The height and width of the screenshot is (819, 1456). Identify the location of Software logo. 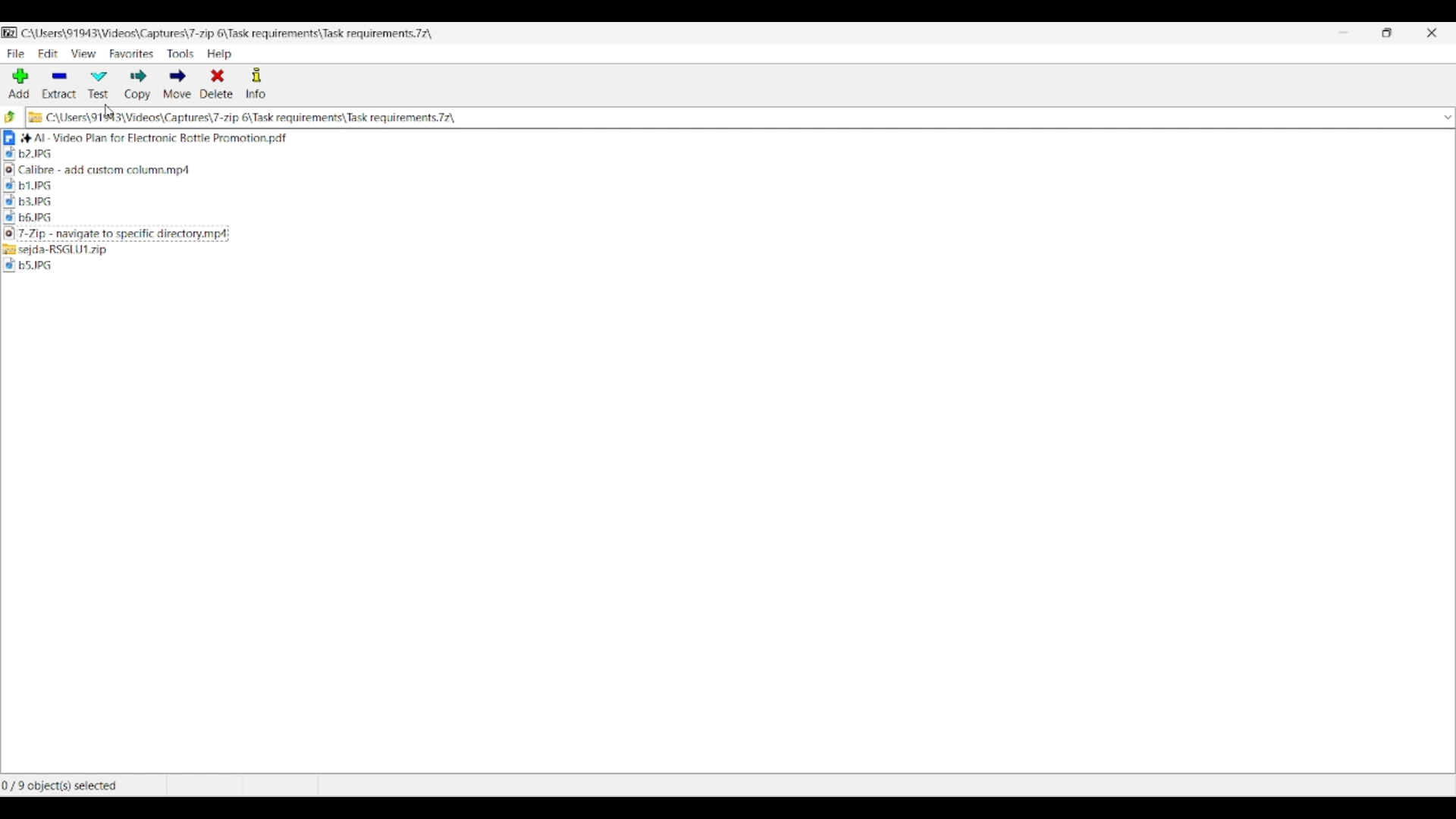
(11, 33).